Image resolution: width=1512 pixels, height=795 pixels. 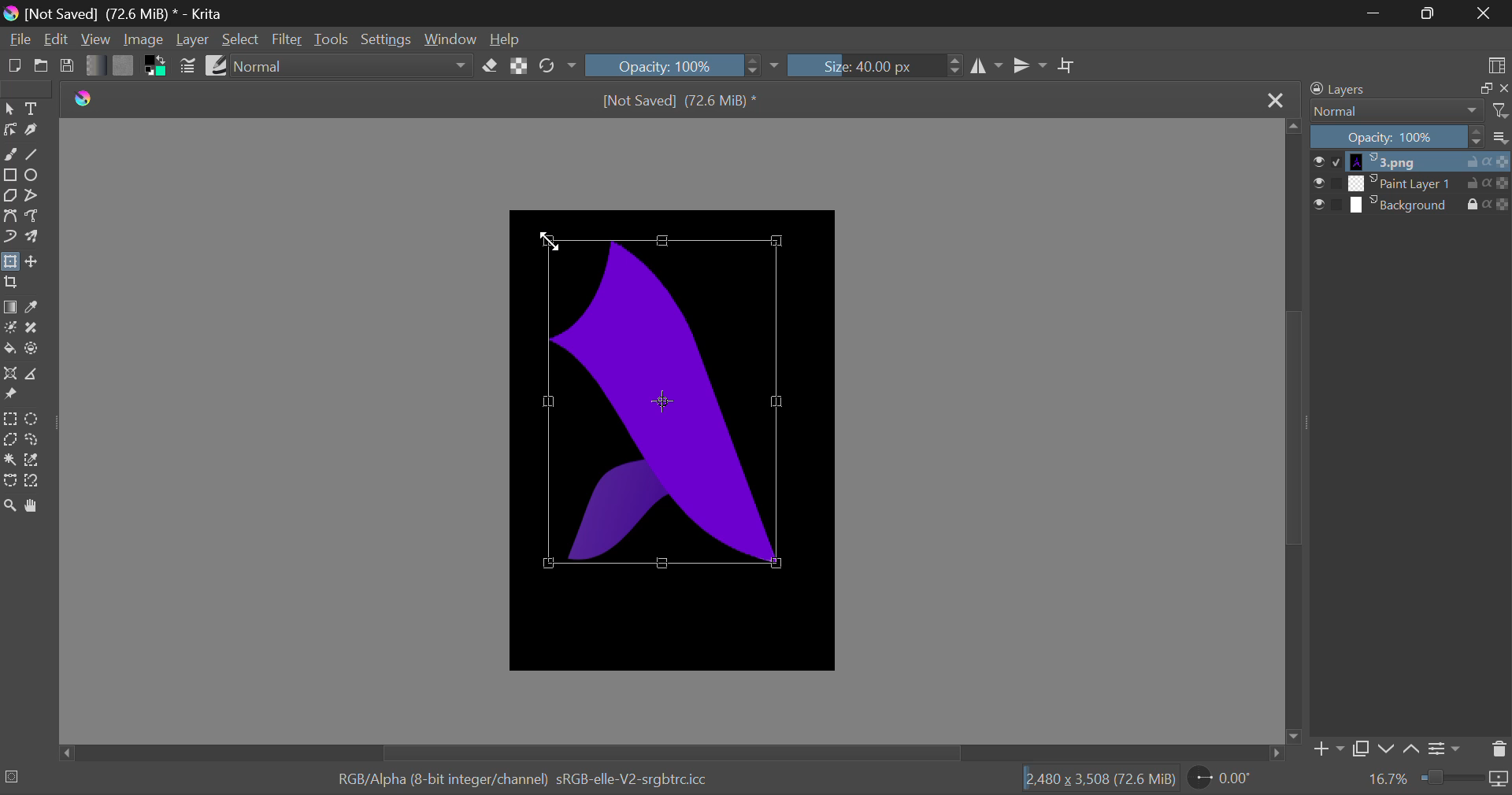 What do you see at coordinates (68, 65) in the screenshot?
I see `Save` at bounding box center [68, 65].